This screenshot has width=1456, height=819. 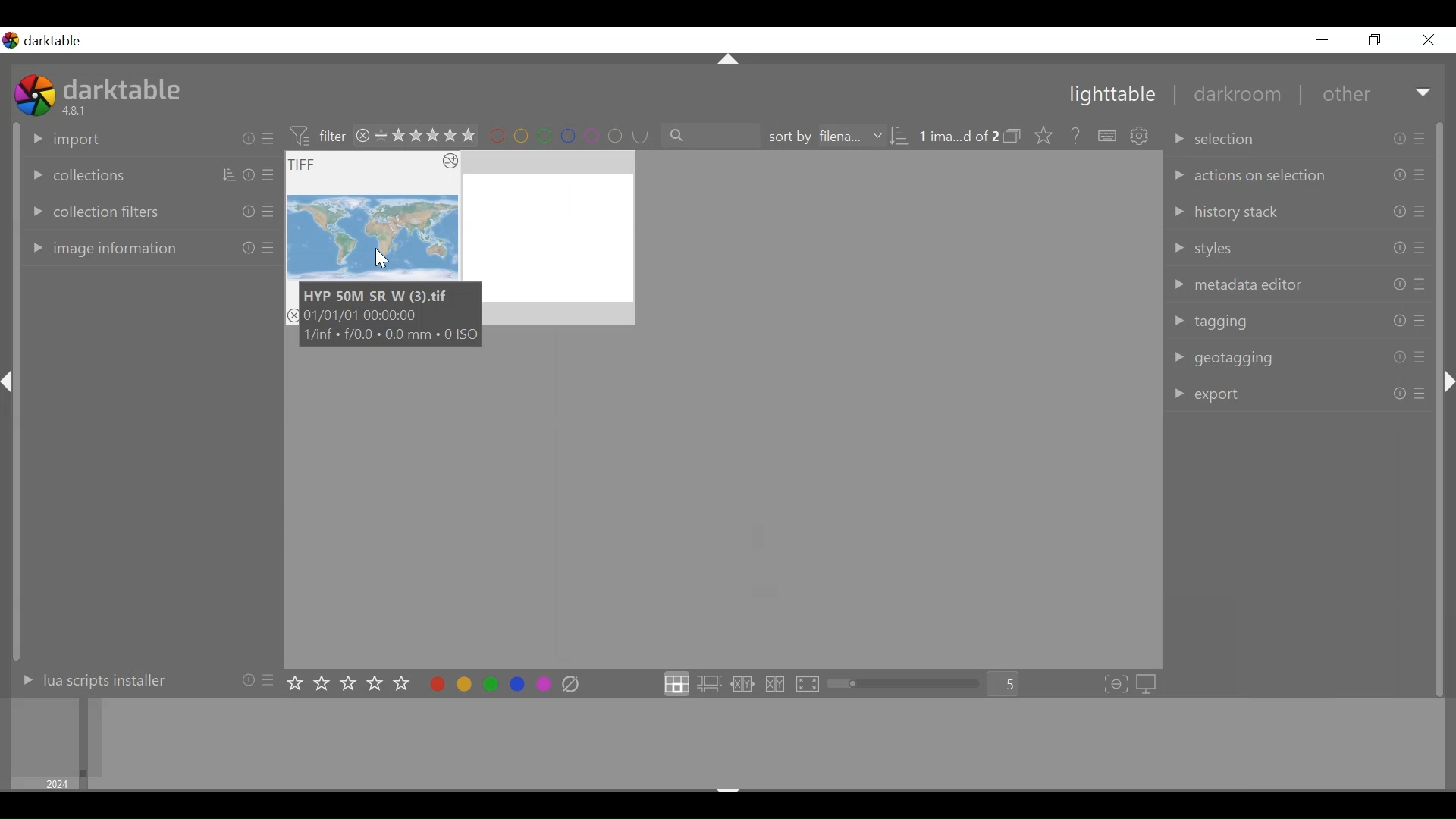 What do you see at coordinates (1378, 92) in the screenshot?
I see `Other` at bounding box center [1378, 92].